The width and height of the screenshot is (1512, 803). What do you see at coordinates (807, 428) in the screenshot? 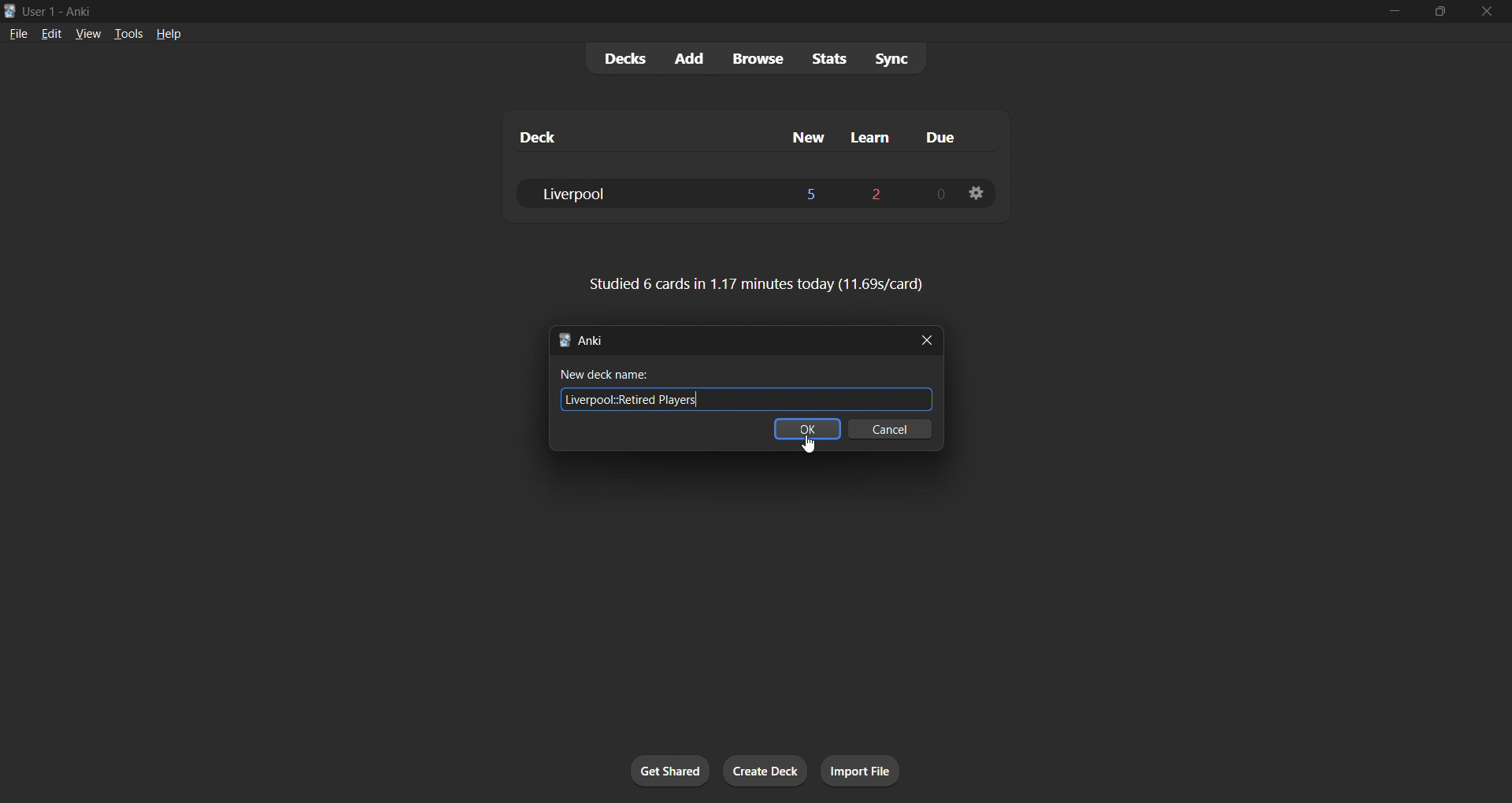
I see `ok` at bounding box center [807, 428].